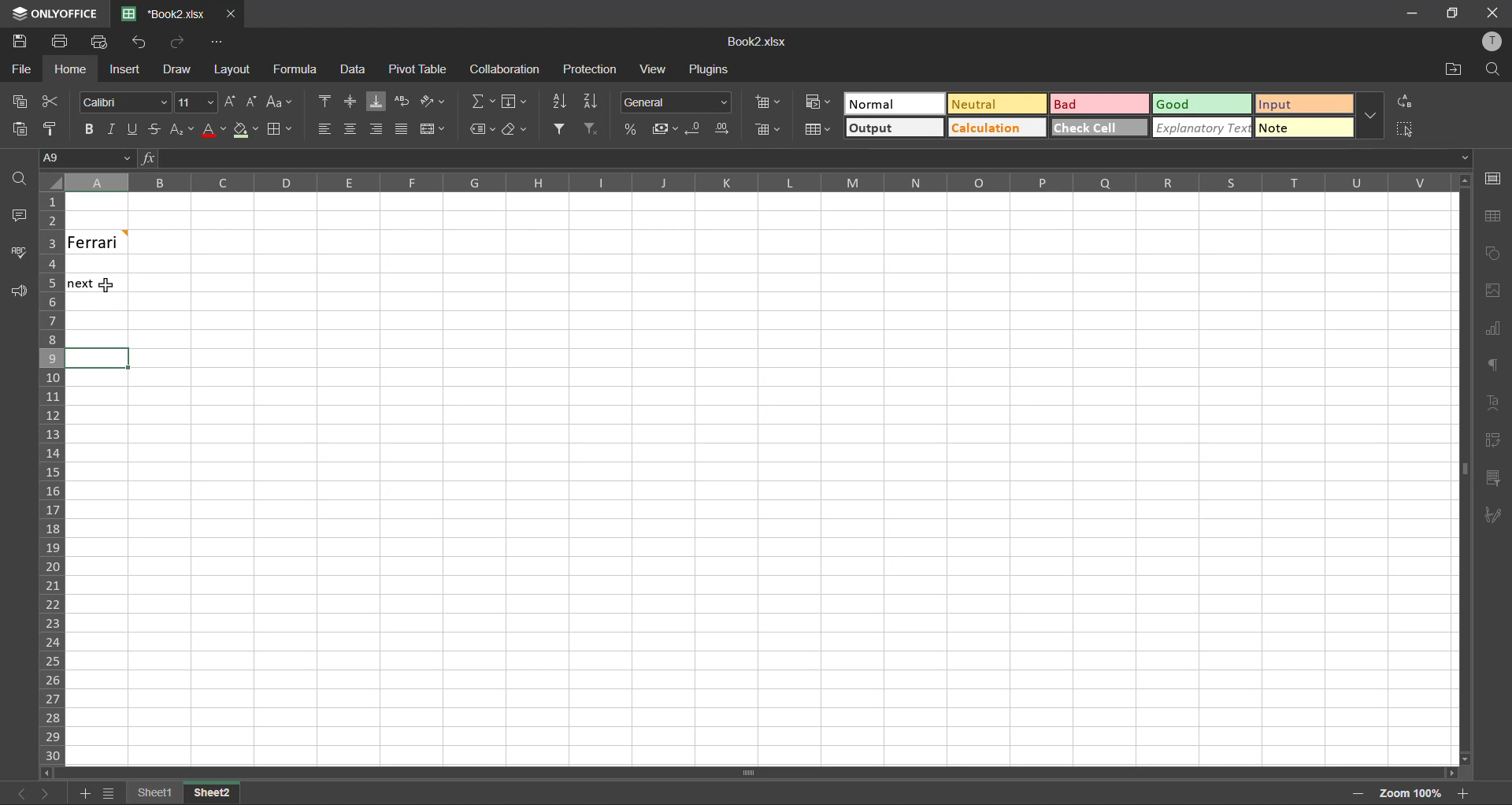 The height and width of the screenshot is (805, 1512). What do you see at coordinates (185, 129) in the screenshot?
I see `sub/superscript` at bounding box center [185, 129].